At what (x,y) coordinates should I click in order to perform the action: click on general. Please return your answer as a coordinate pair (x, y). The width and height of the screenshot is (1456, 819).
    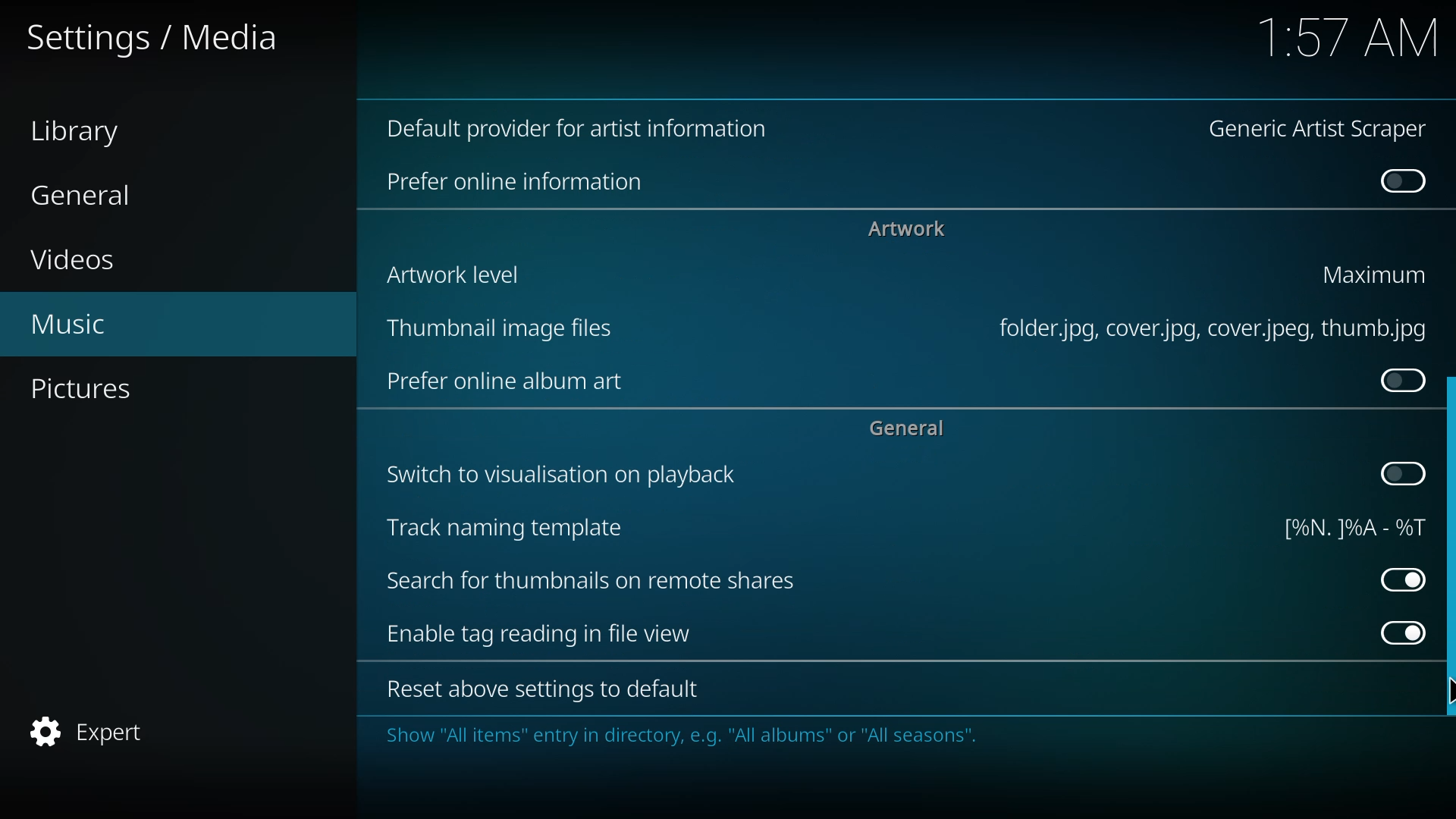
    Looking at the image, I should click on (83, 196).